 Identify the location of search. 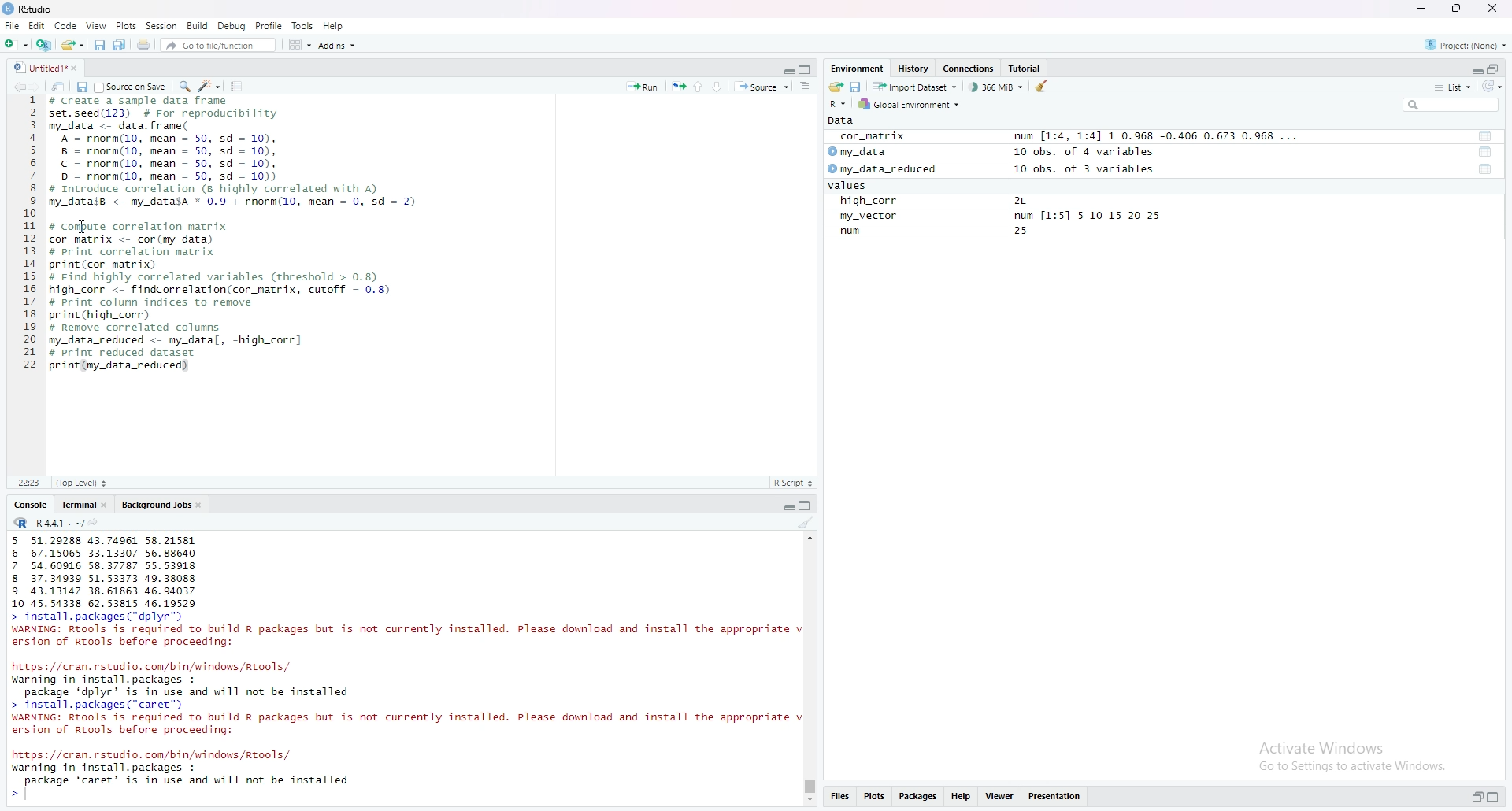
(1450, 106).